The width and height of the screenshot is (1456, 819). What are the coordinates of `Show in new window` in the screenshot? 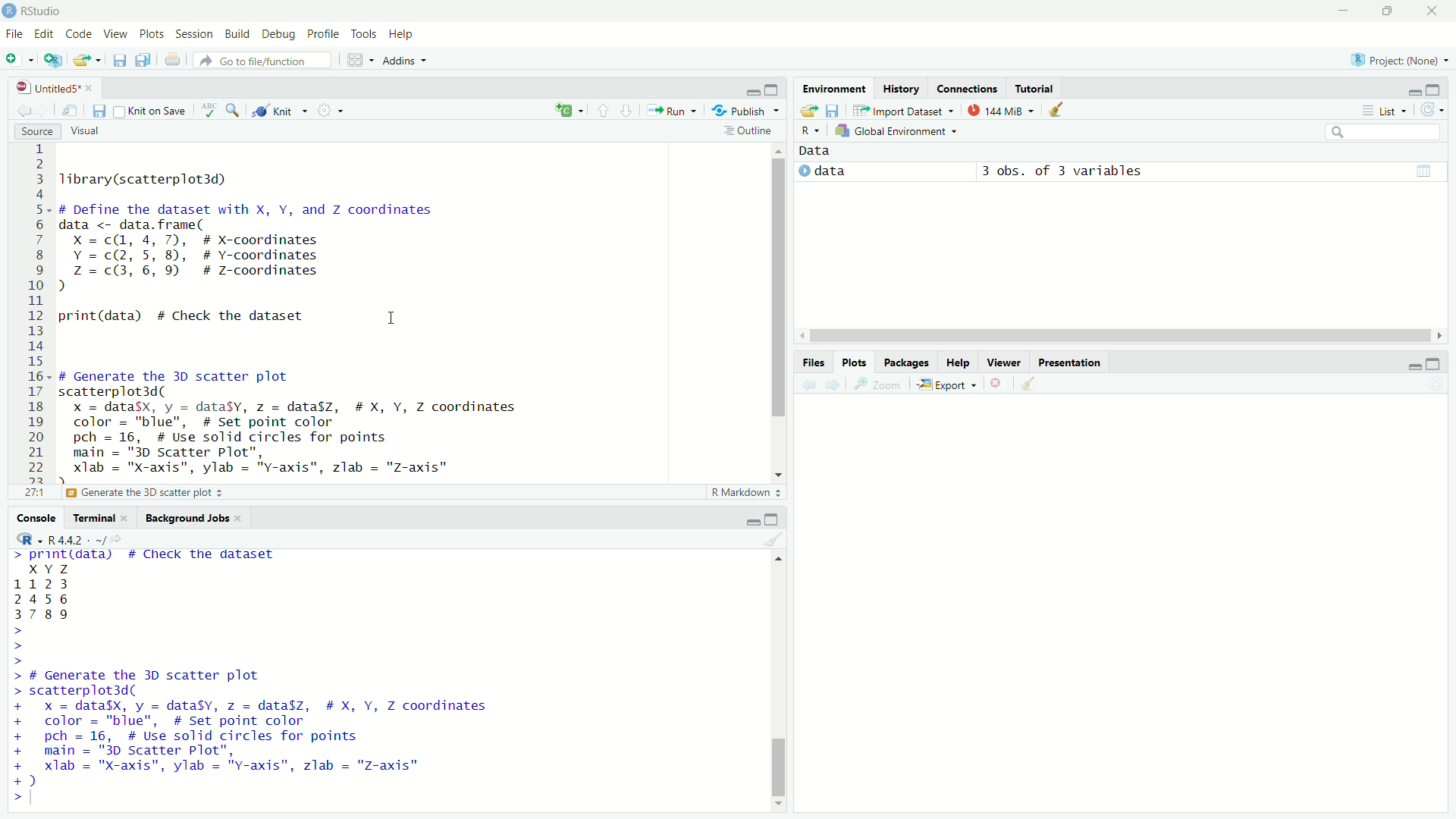 It's located at (68, 108).